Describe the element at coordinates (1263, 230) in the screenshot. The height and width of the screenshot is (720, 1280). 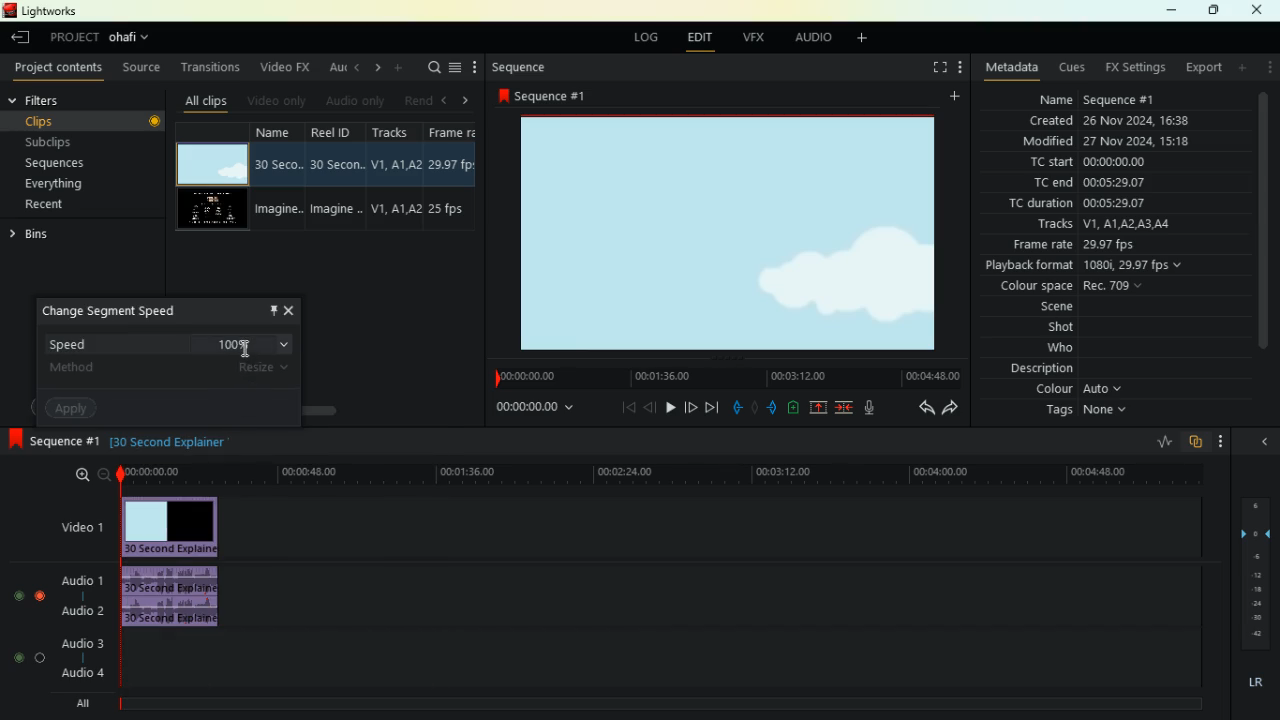
I see `scroll` at that location.